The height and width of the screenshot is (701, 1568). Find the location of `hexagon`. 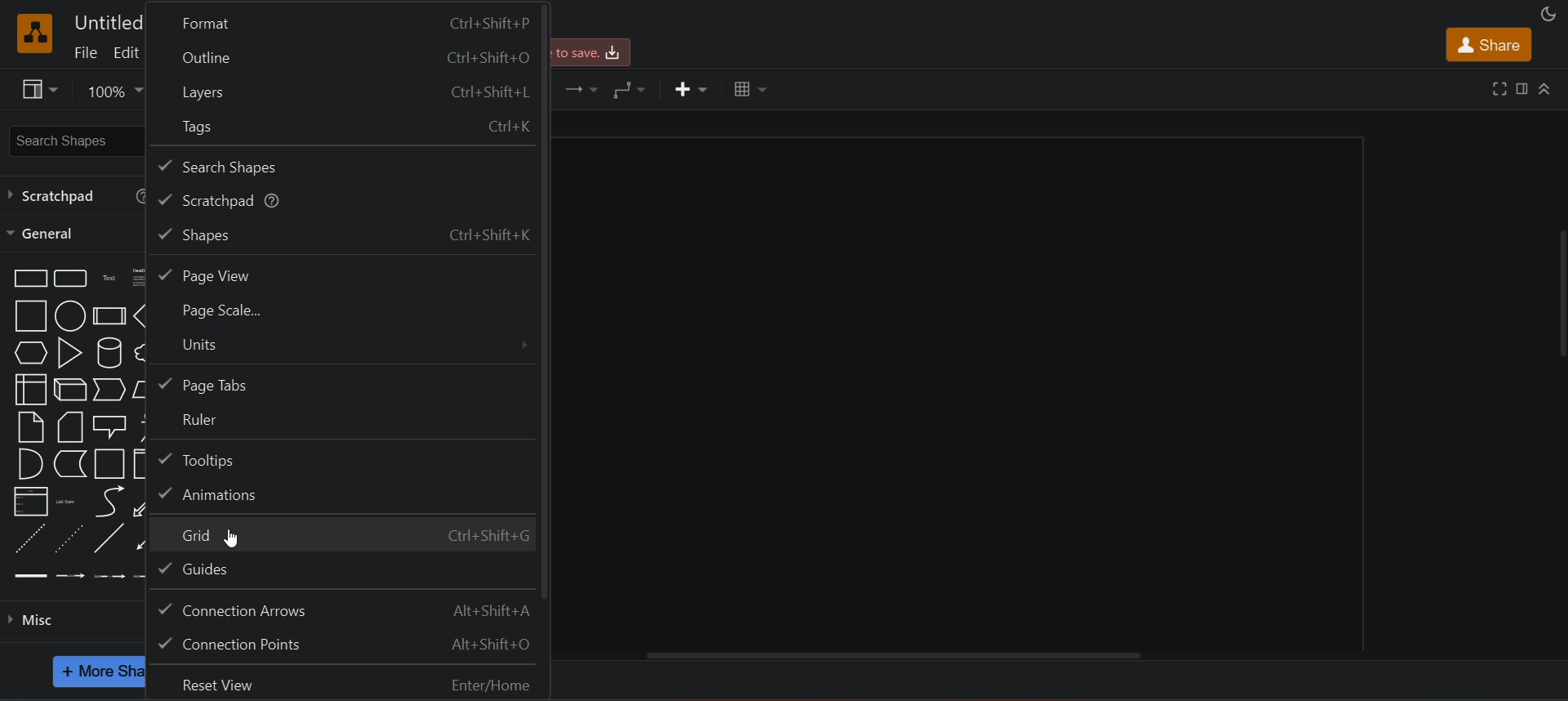

hexagon is located at coordinates (31, 352).